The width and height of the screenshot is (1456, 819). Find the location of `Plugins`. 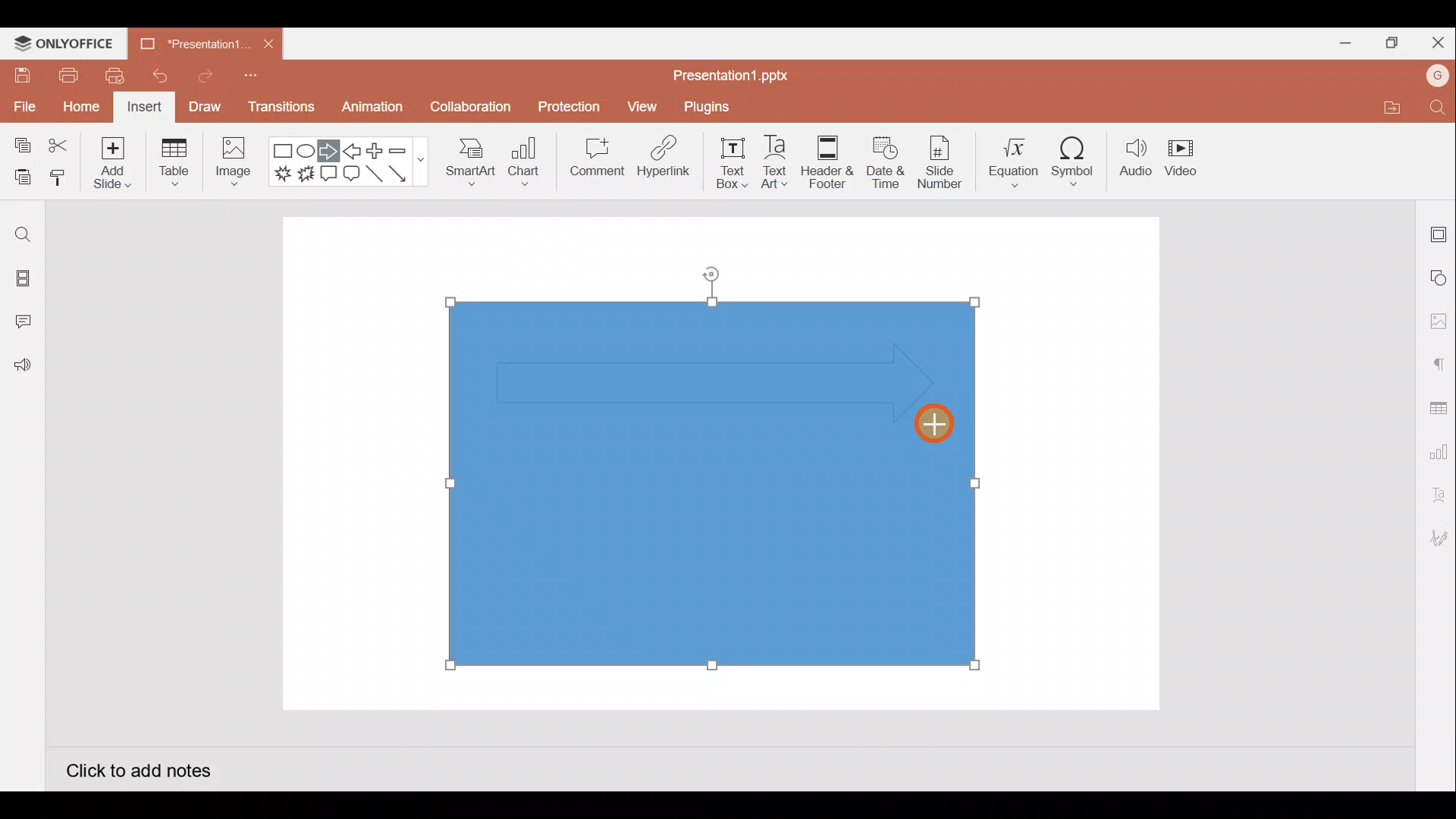

Plugins is located at coordinates (717, 105).